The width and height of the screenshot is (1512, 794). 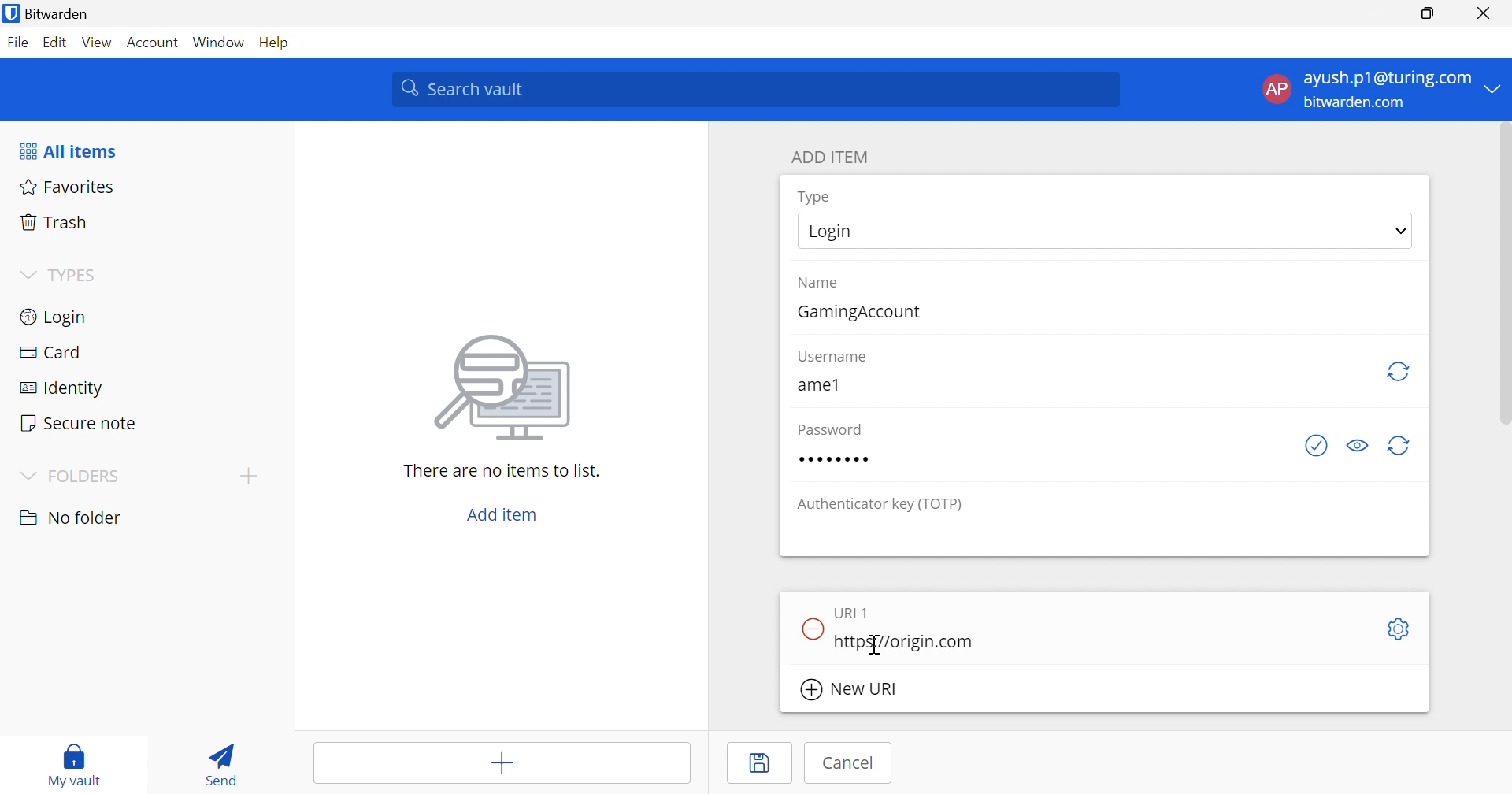 I want to click on Add item, so click(x=498, y=514).